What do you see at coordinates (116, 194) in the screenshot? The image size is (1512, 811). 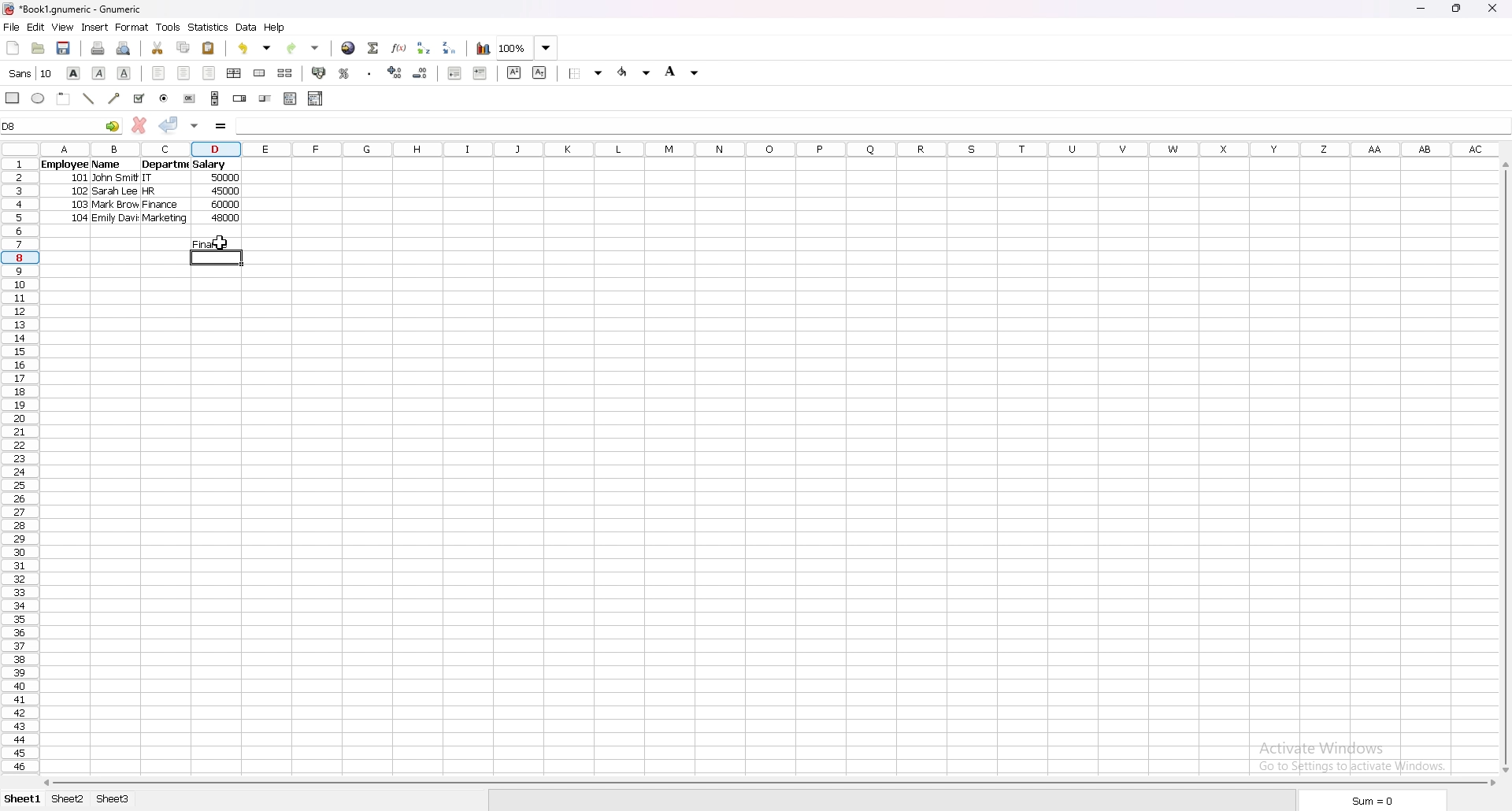 I see `sarah lee` at bounding box center [116, 194].